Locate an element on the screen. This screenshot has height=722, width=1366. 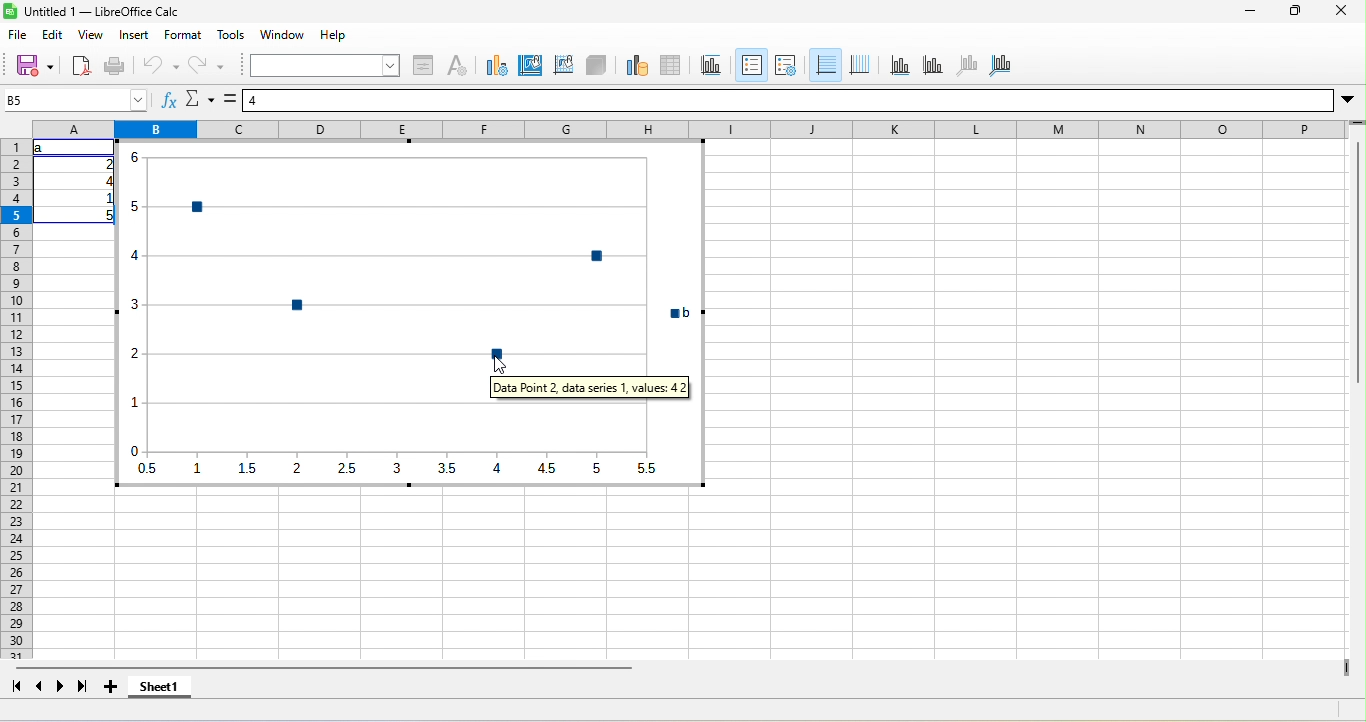
x axis is located at coordinates (900, 67).